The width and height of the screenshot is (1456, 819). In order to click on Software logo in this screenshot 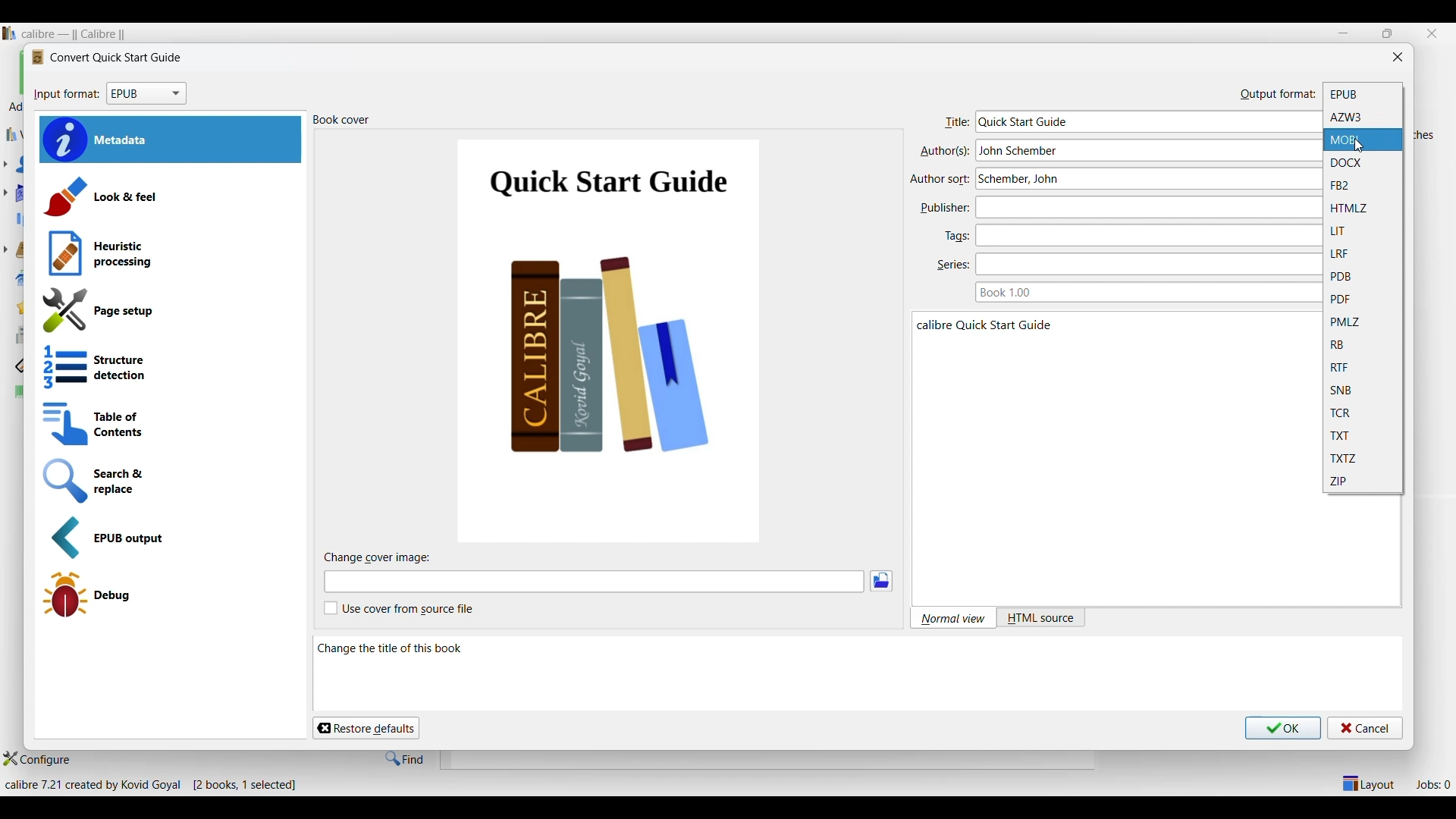, I will do `click(9, 33)`.